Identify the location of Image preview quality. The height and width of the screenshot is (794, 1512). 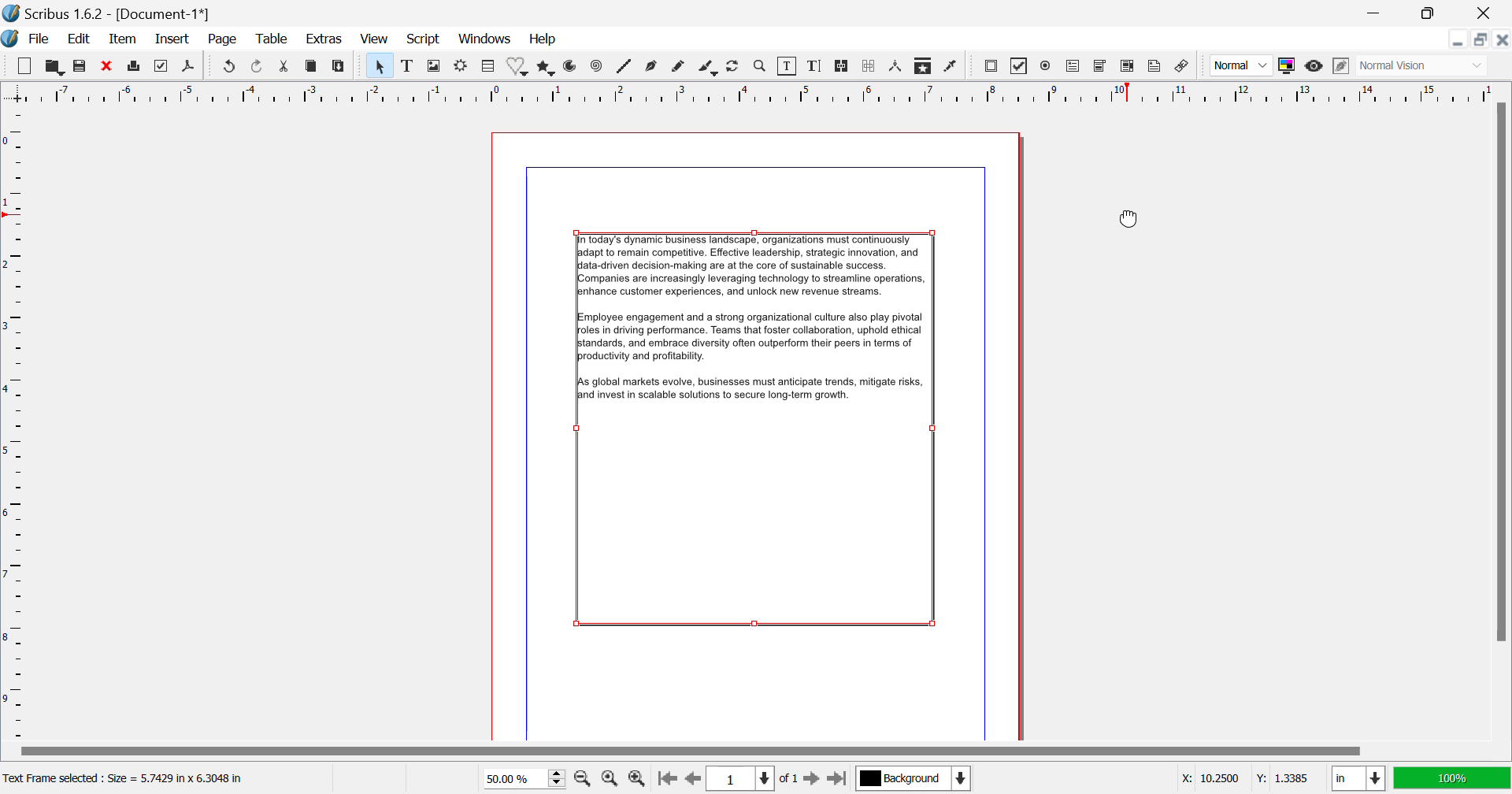
(1243, 65).